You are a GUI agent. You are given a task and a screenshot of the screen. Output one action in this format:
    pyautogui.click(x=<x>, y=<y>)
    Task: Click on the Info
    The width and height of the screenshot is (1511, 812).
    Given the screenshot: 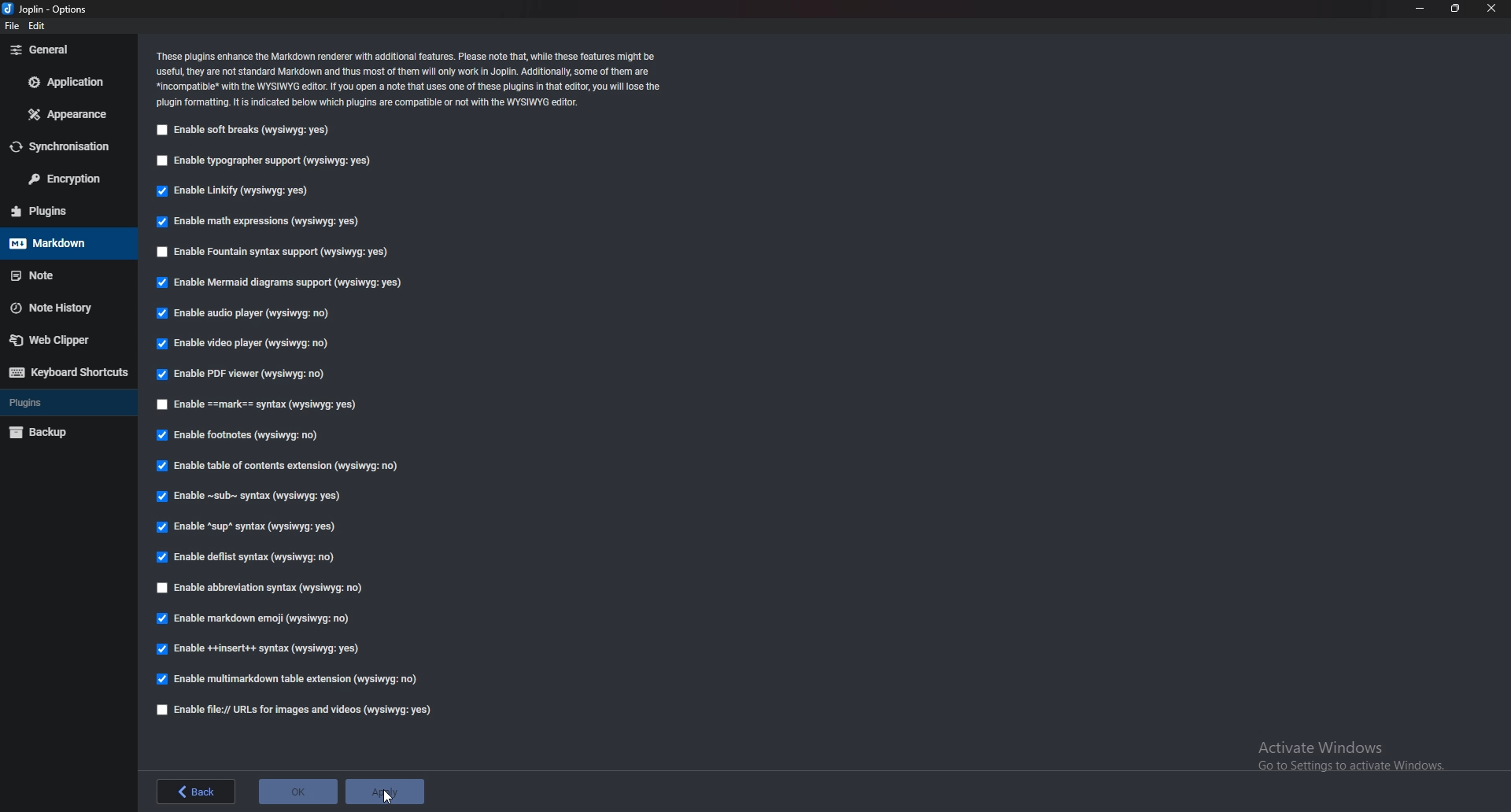 What is the action you would take?
    pyautogui.click(x=415, y=81)
    